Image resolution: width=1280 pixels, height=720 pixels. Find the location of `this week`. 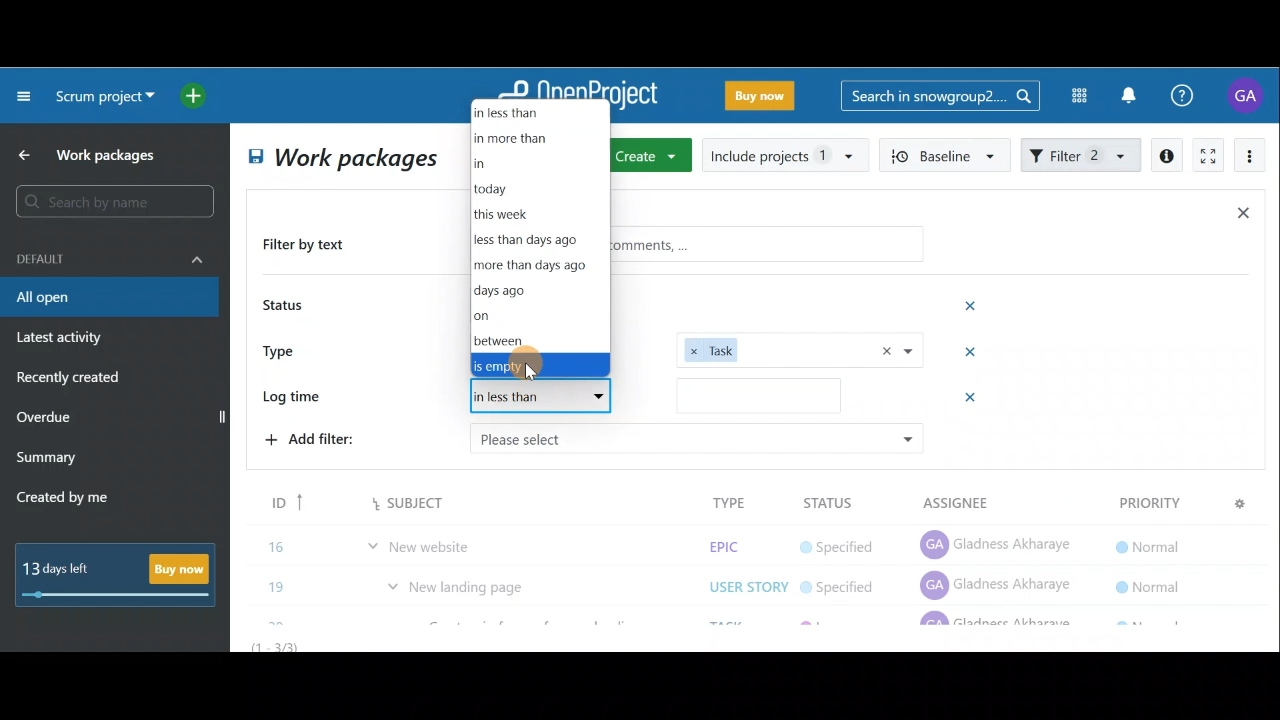

this week is located at coordinates (512, 214).